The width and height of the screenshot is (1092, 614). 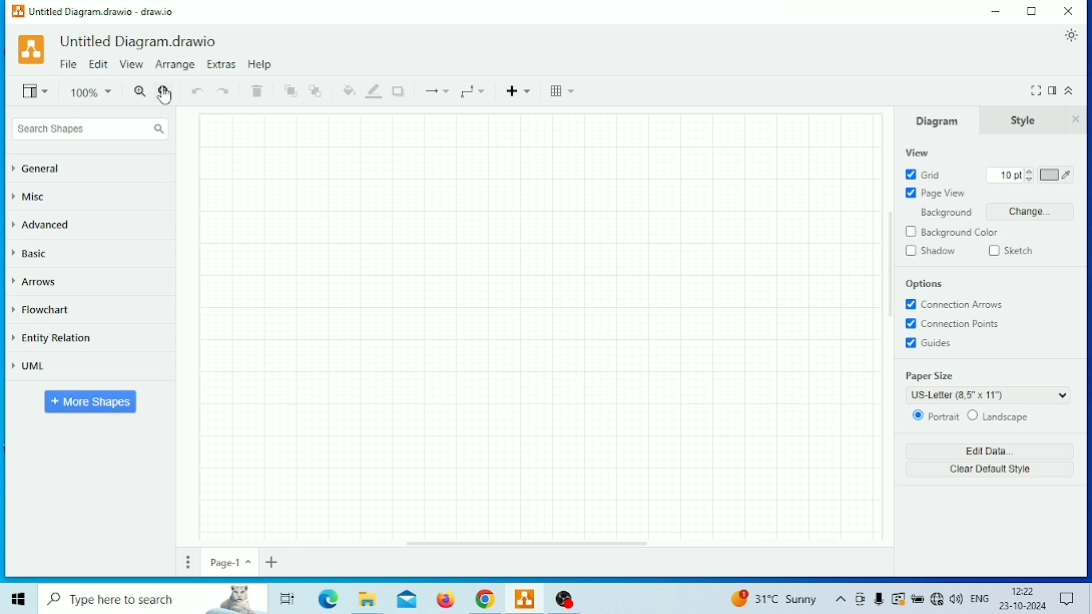 What do you see at coordinates (773, 597) in the screenshot?
I see `Temperature ` at bounding box center [773, 597].